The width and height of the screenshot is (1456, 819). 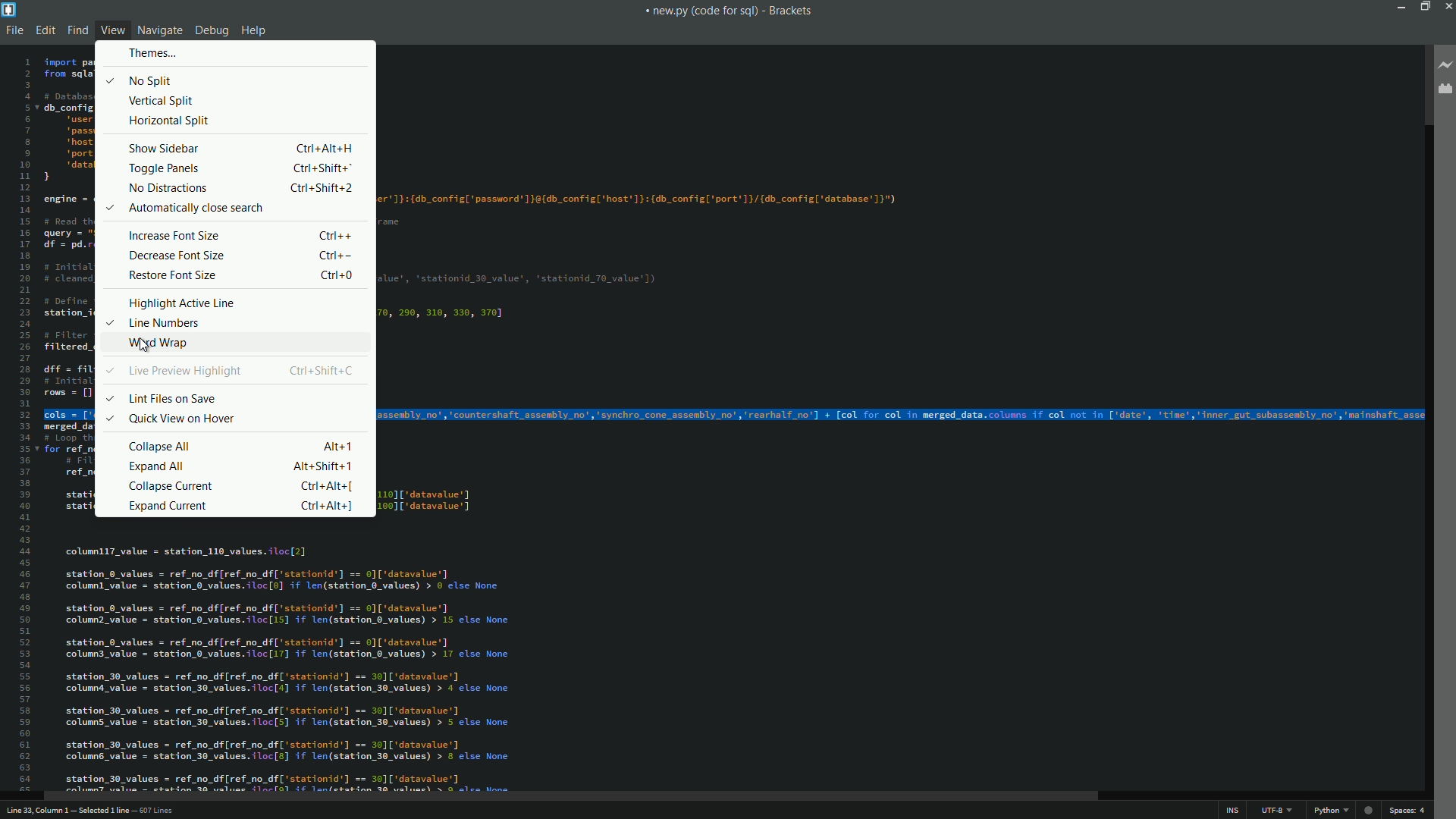 I want to click on lines of code, so click(x=684, y=657).